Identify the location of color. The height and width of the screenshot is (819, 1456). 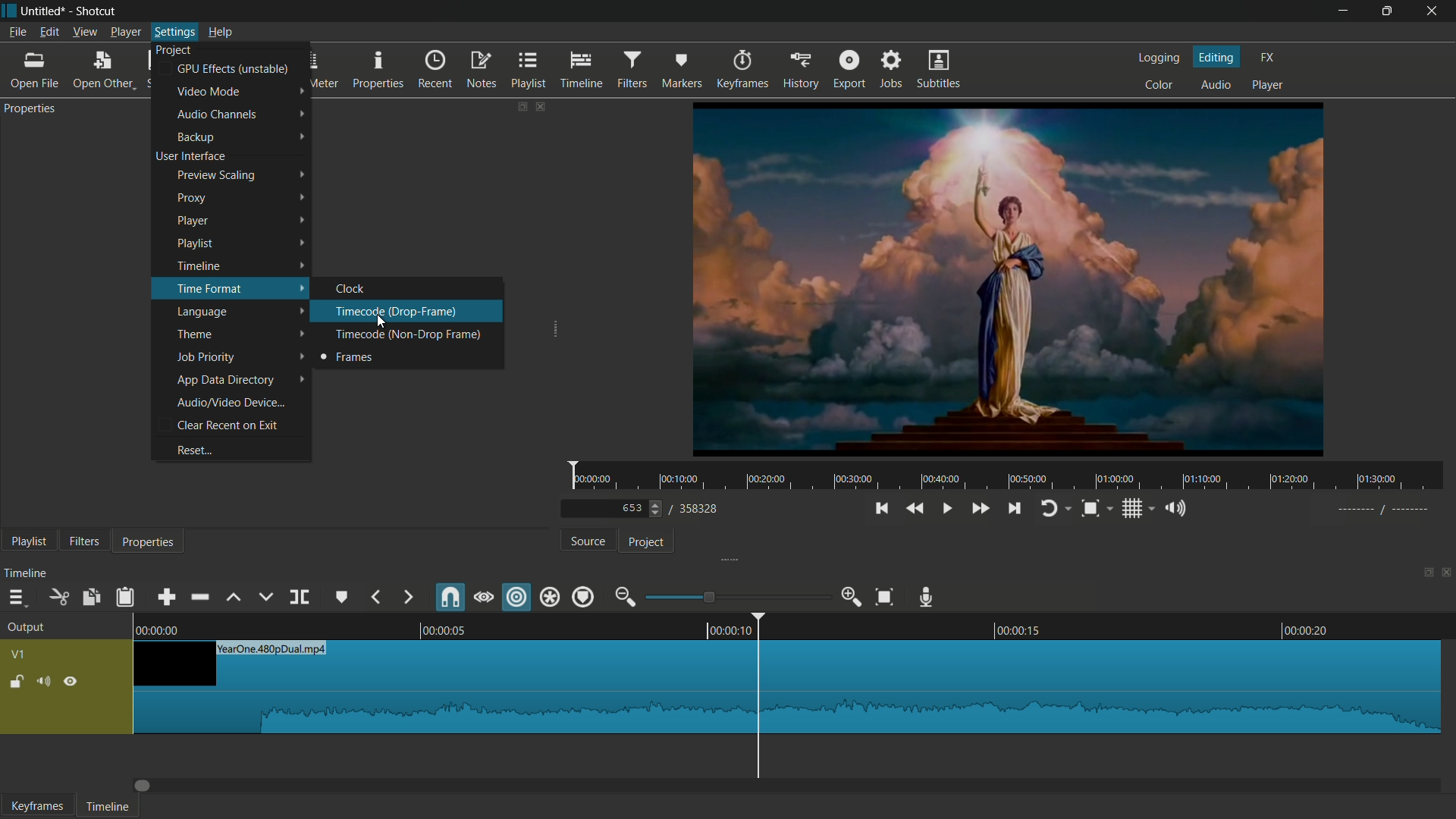
(1156, 83).